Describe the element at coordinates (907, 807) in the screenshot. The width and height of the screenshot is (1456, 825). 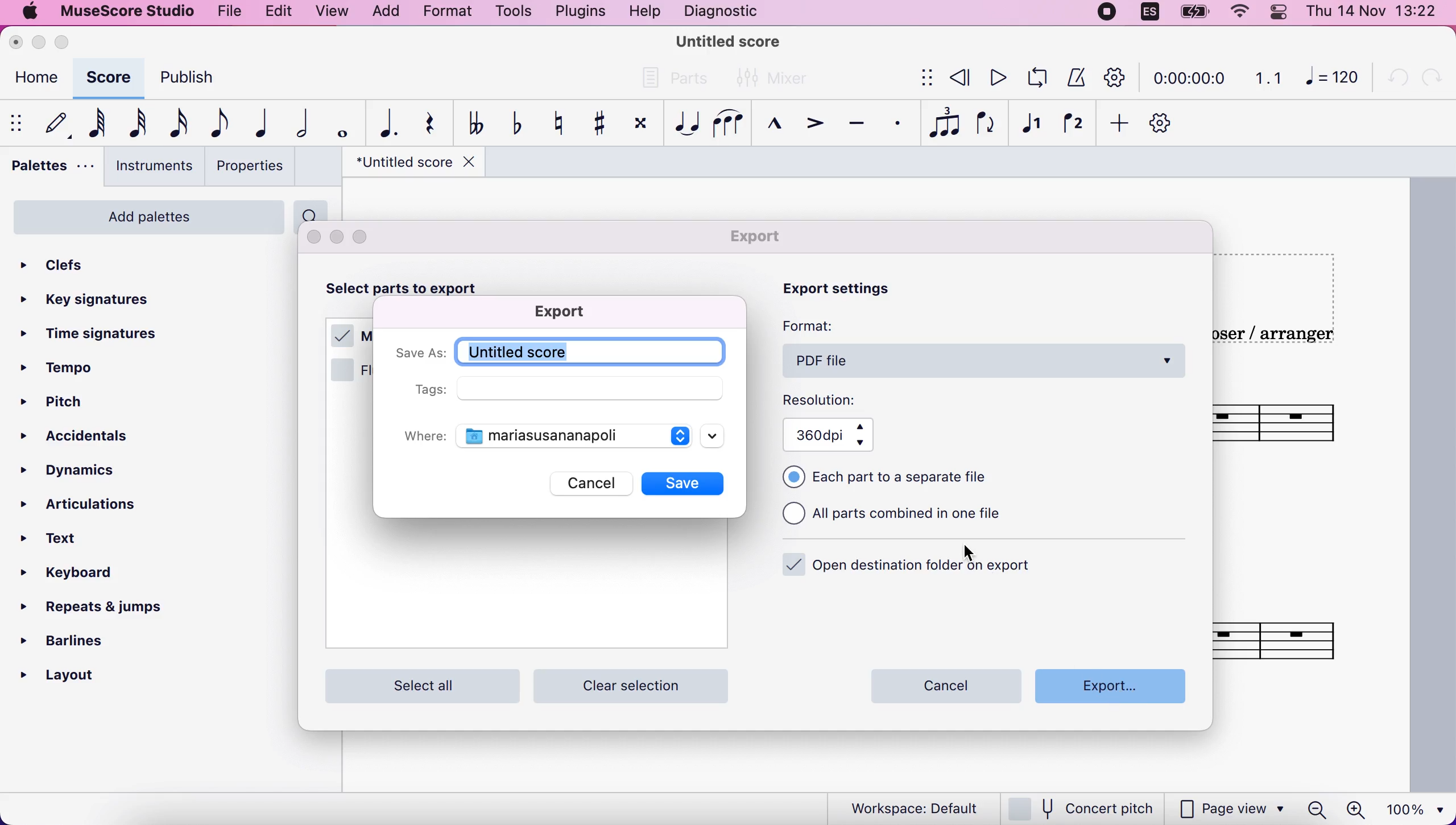
I see `workspace default` at that location.